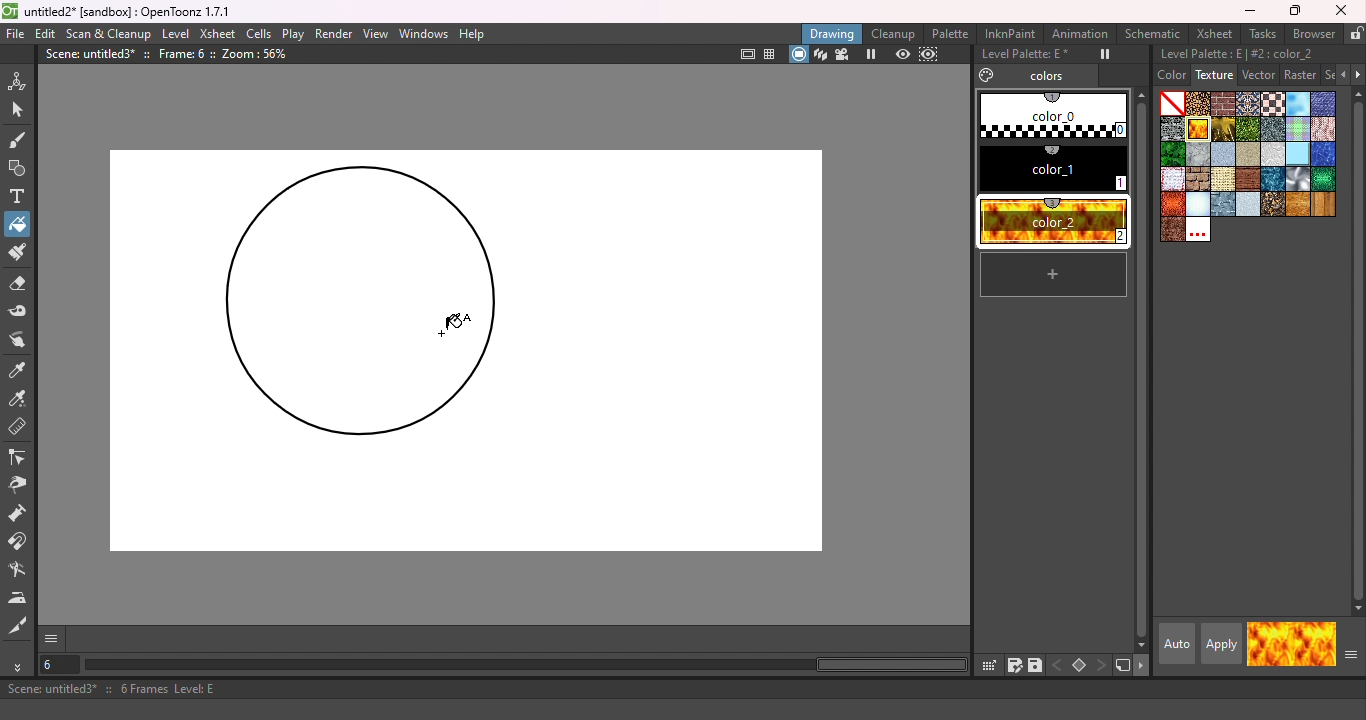 The width and height of the screenshot is (1366, 720). What do you see at coordinates (1249, 129) in the screenshot?
I see `Grass.bmp` at bounding box center [1249, 129].